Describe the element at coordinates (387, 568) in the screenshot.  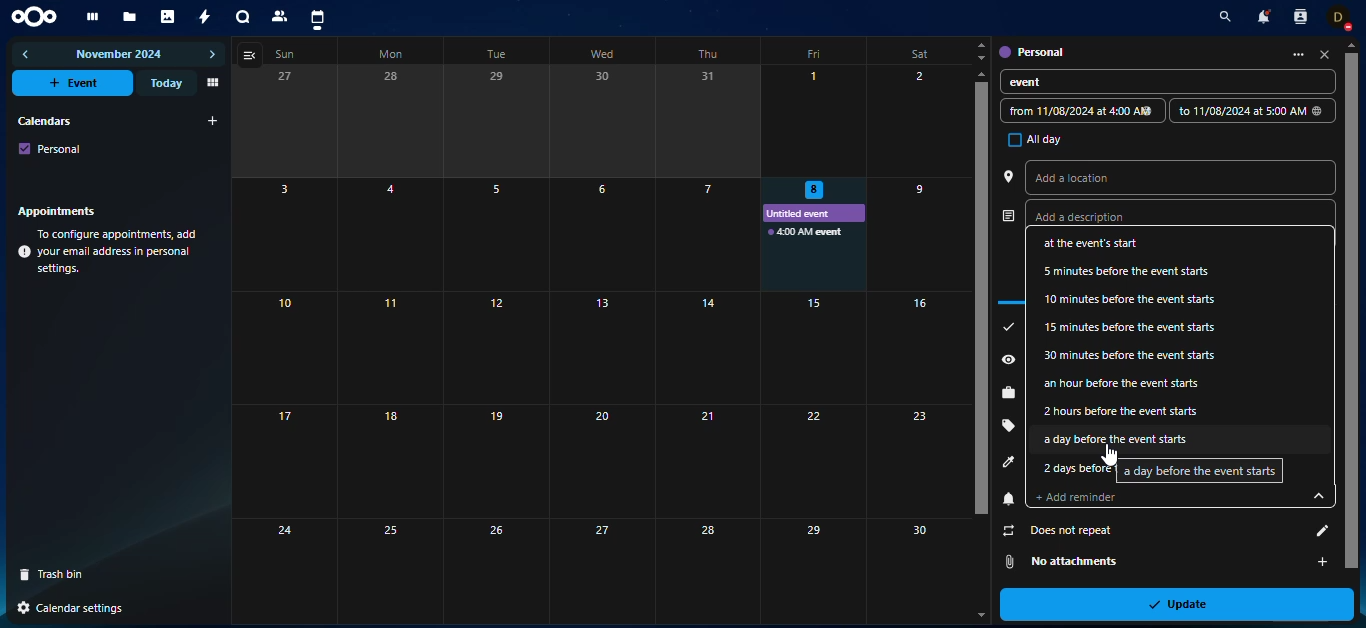
I see `25` at that location.